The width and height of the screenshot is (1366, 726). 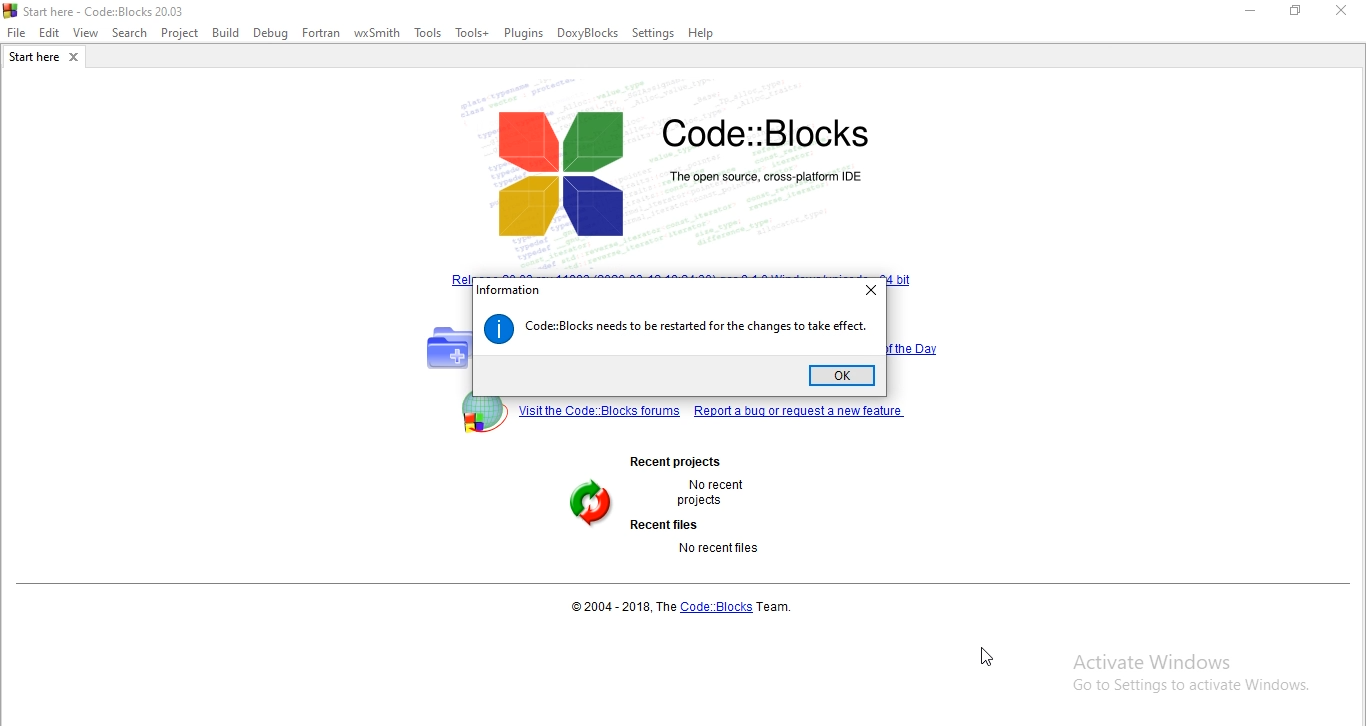 What do you see at coordinates (801, 412) in the screenshot?
I see `Report 3 bug of request a new feature` at bounding box center [801, 412].